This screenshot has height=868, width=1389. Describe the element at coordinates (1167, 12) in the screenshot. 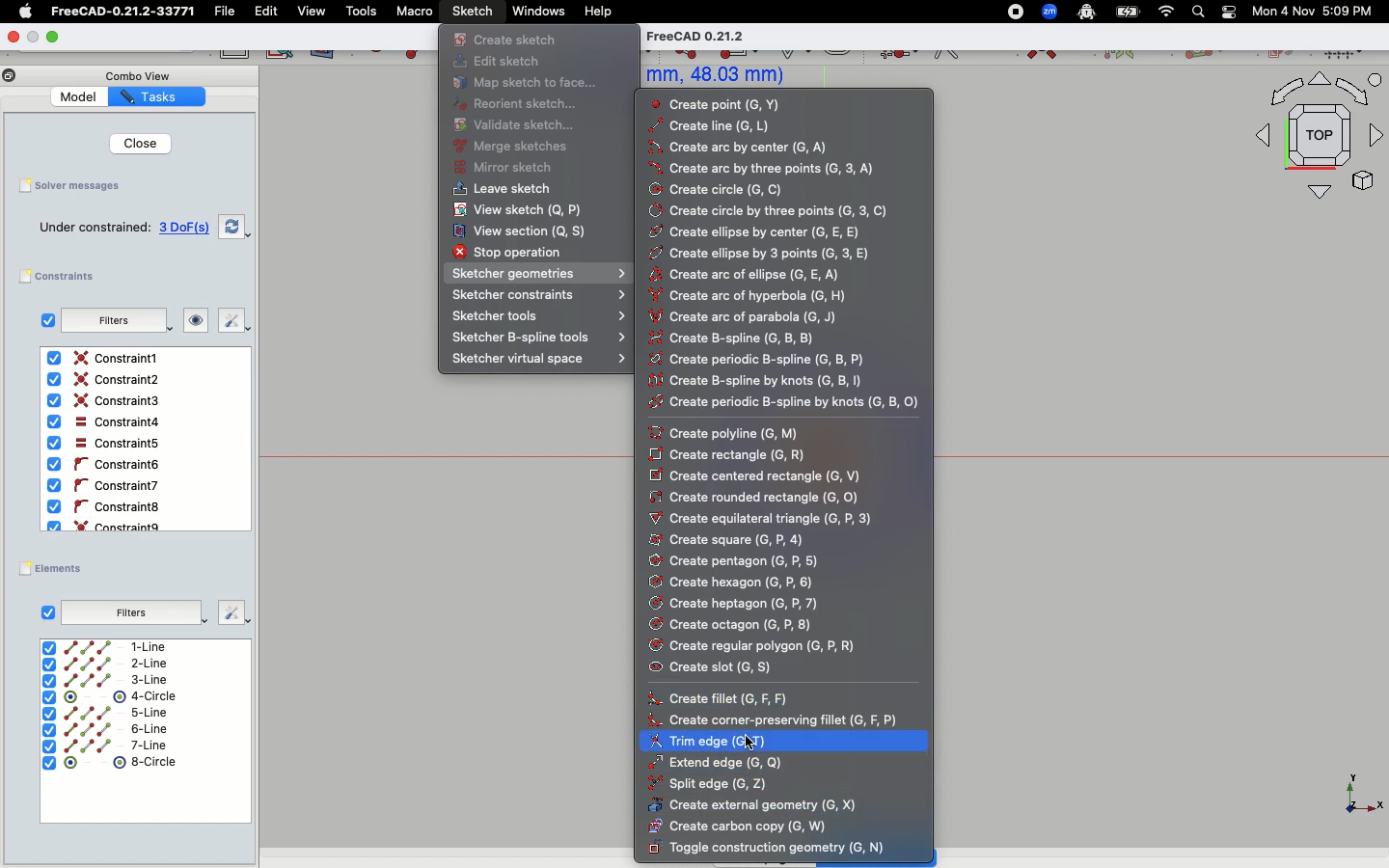

I see `Network` at that location.